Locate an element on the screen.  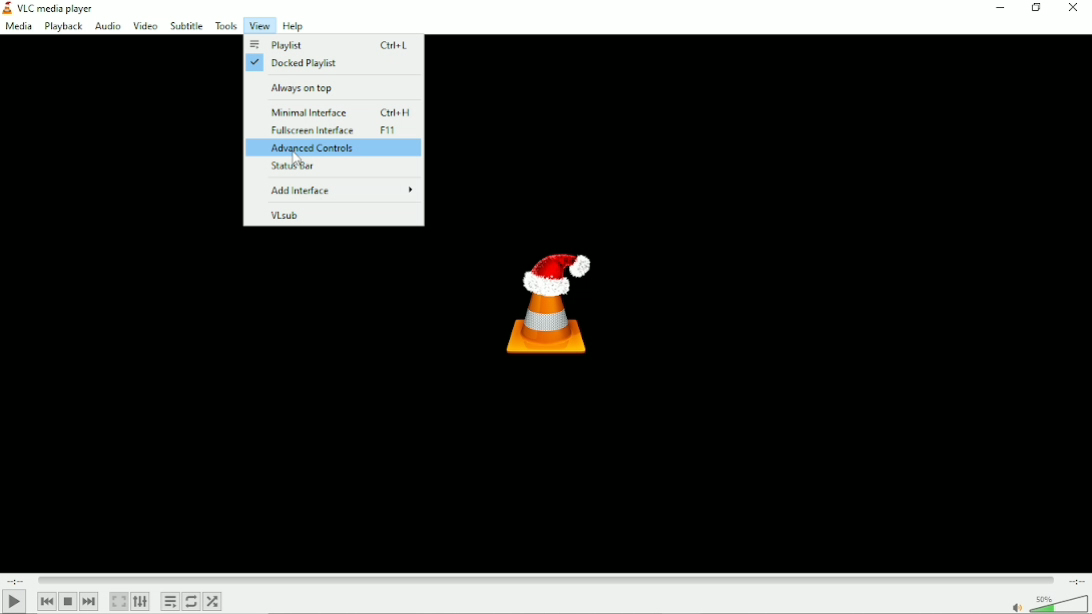
Stop playlist is located at coordinates (68, 602).